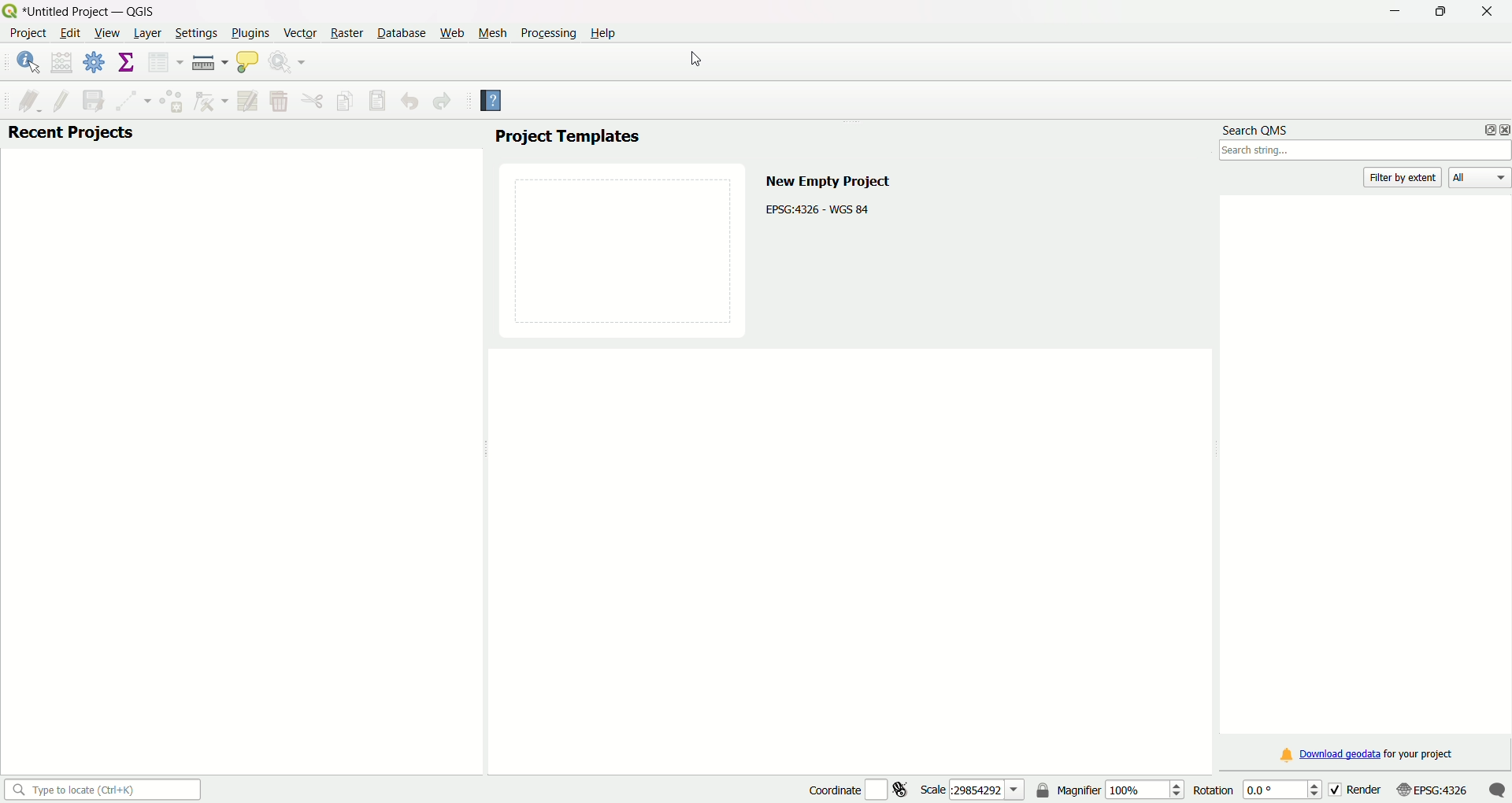  I want to click on identify feature, so click(28, 62).